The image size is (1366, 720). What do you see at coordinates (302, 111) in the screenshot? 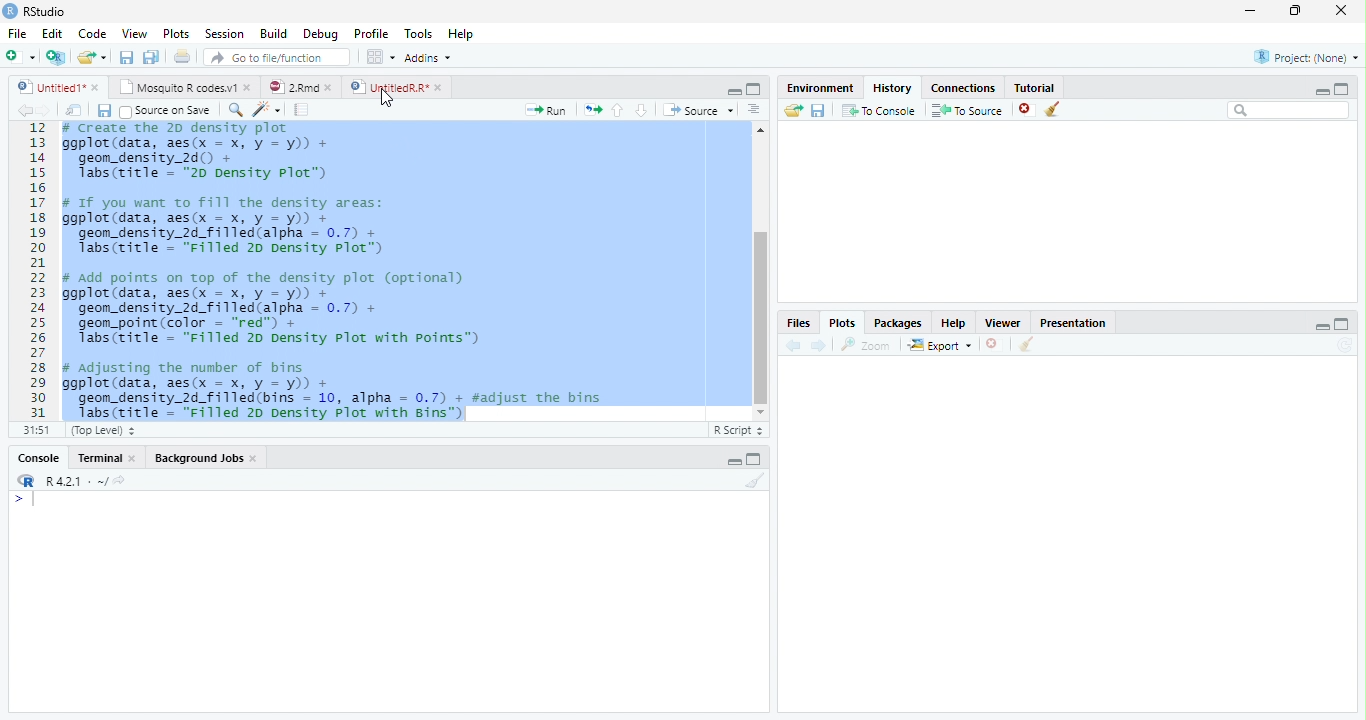
I see `compile report` at bounding box center [302, 111].